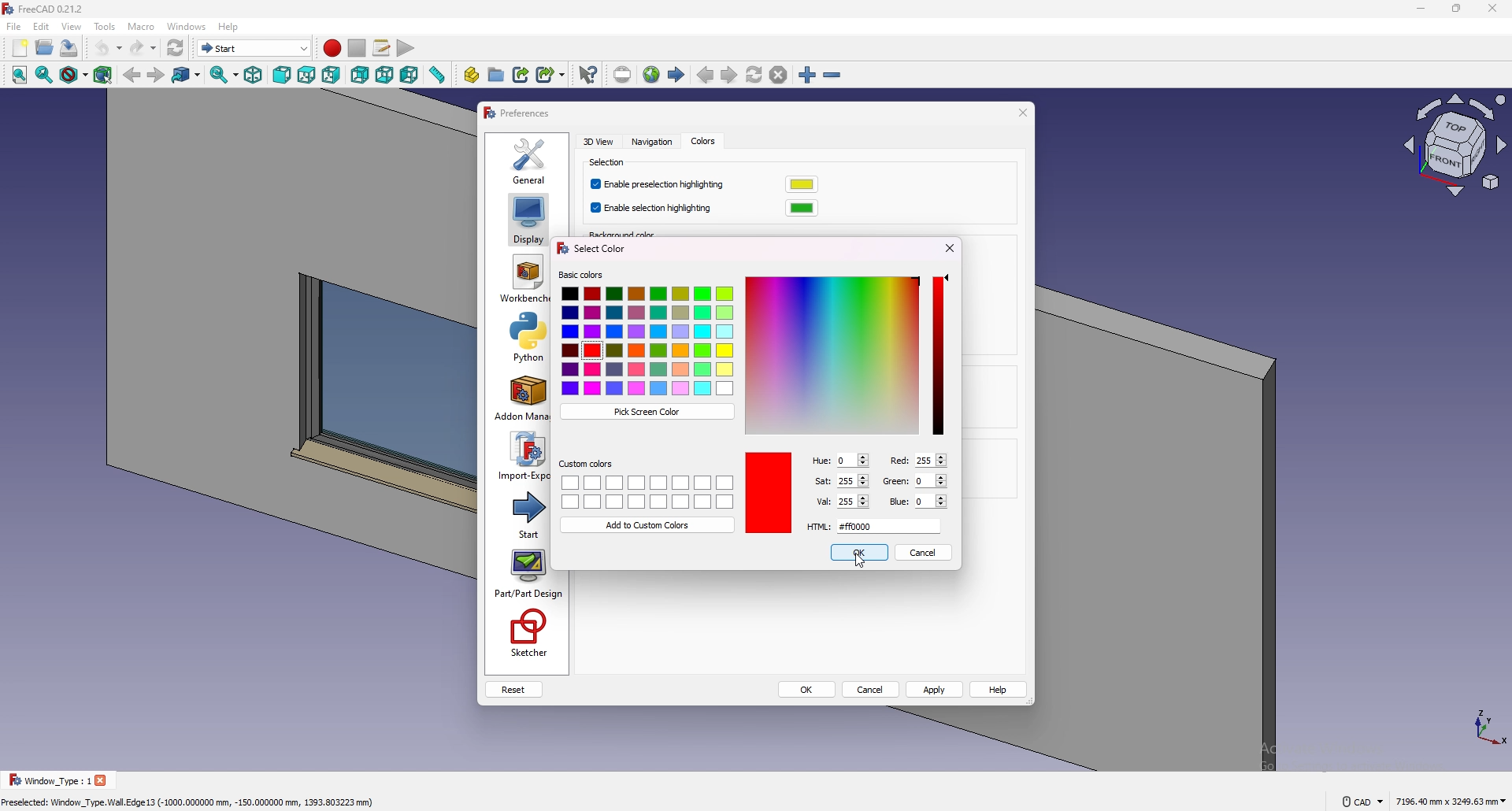 The width and height of the screenshot is (1512, 811). I want to click on start, so click(523, 513).